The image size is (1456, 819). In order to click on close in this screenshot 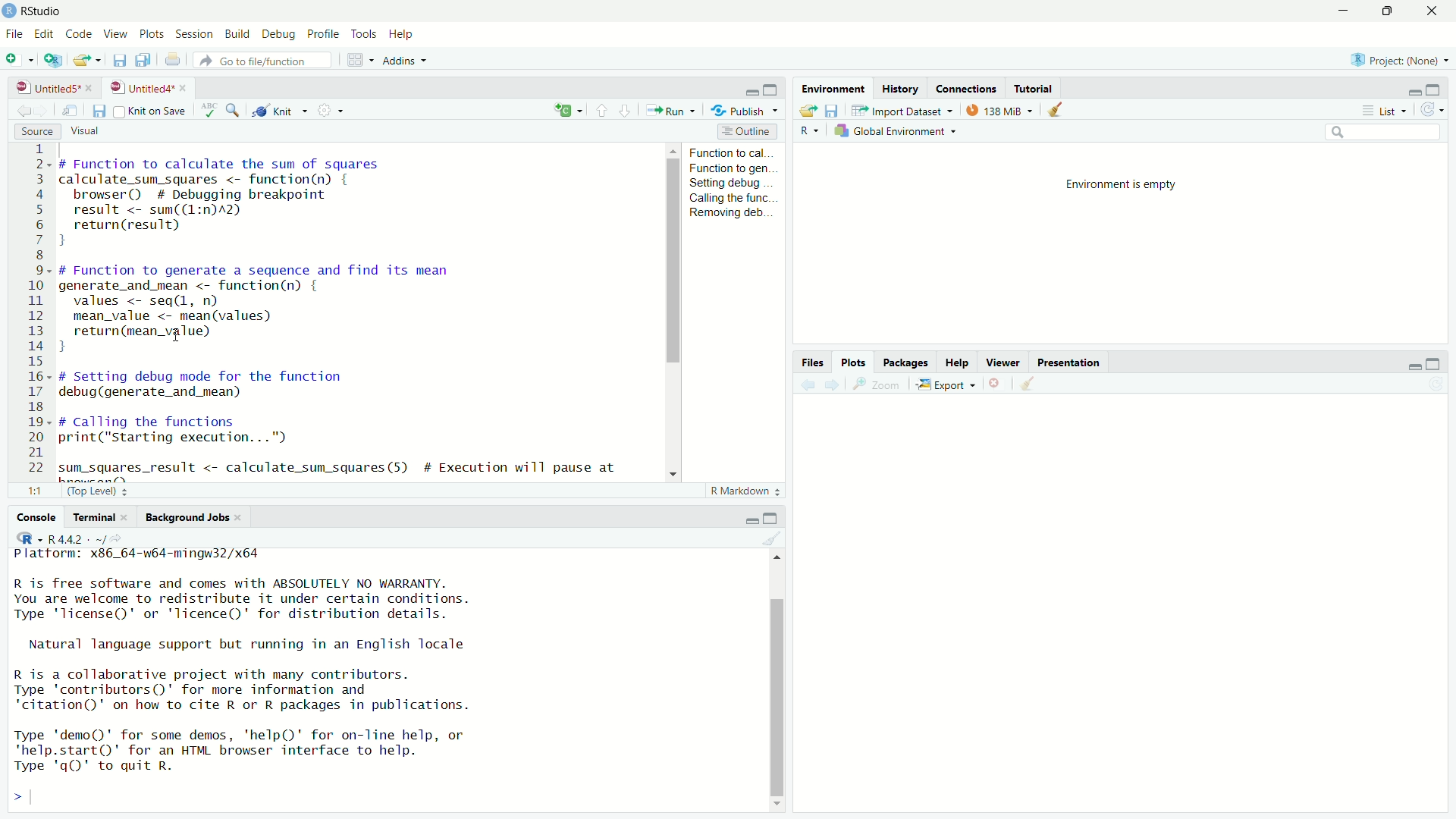, I will do `click(243, 518)`.